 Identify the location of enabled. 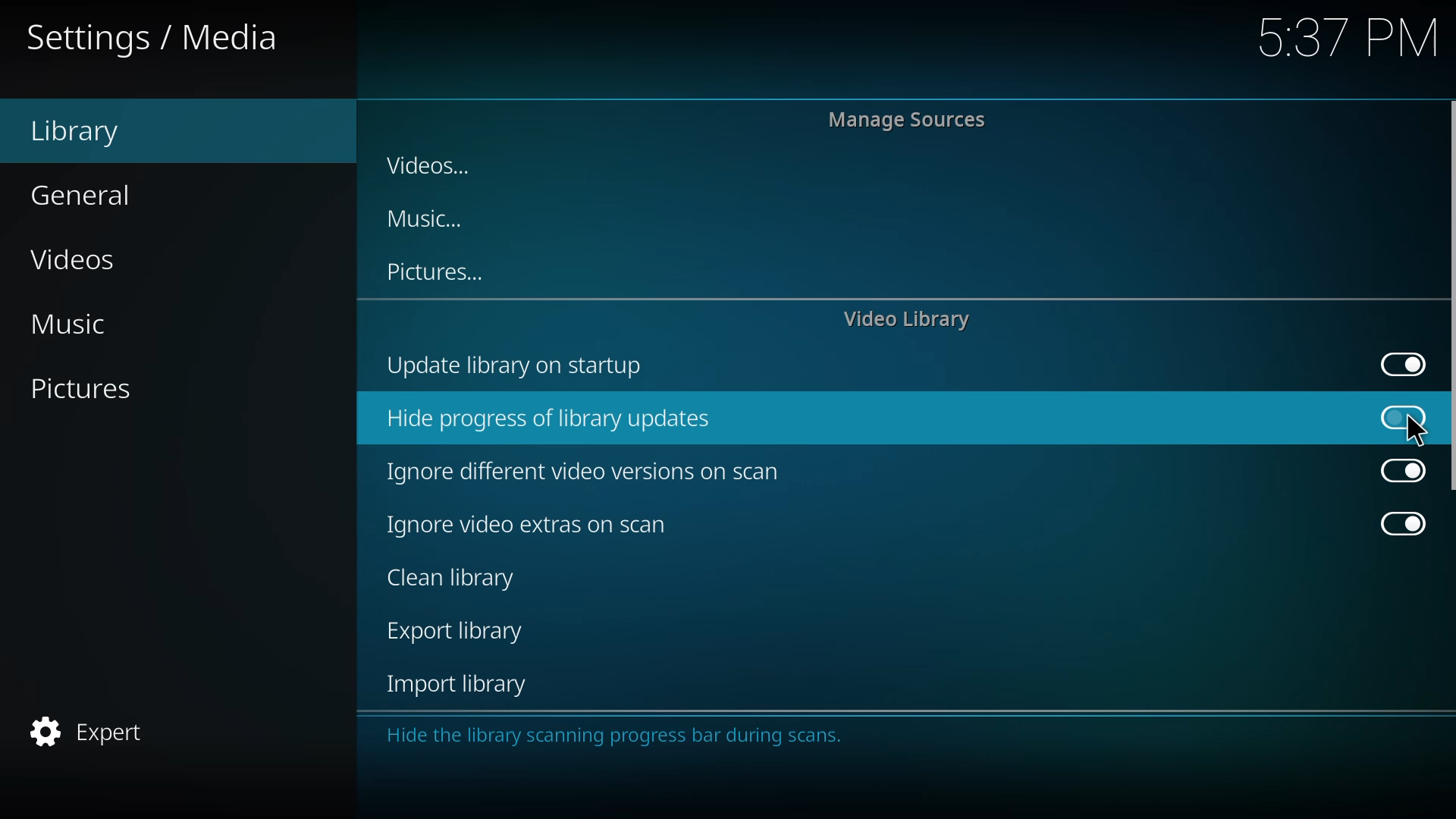
(1393, 521).